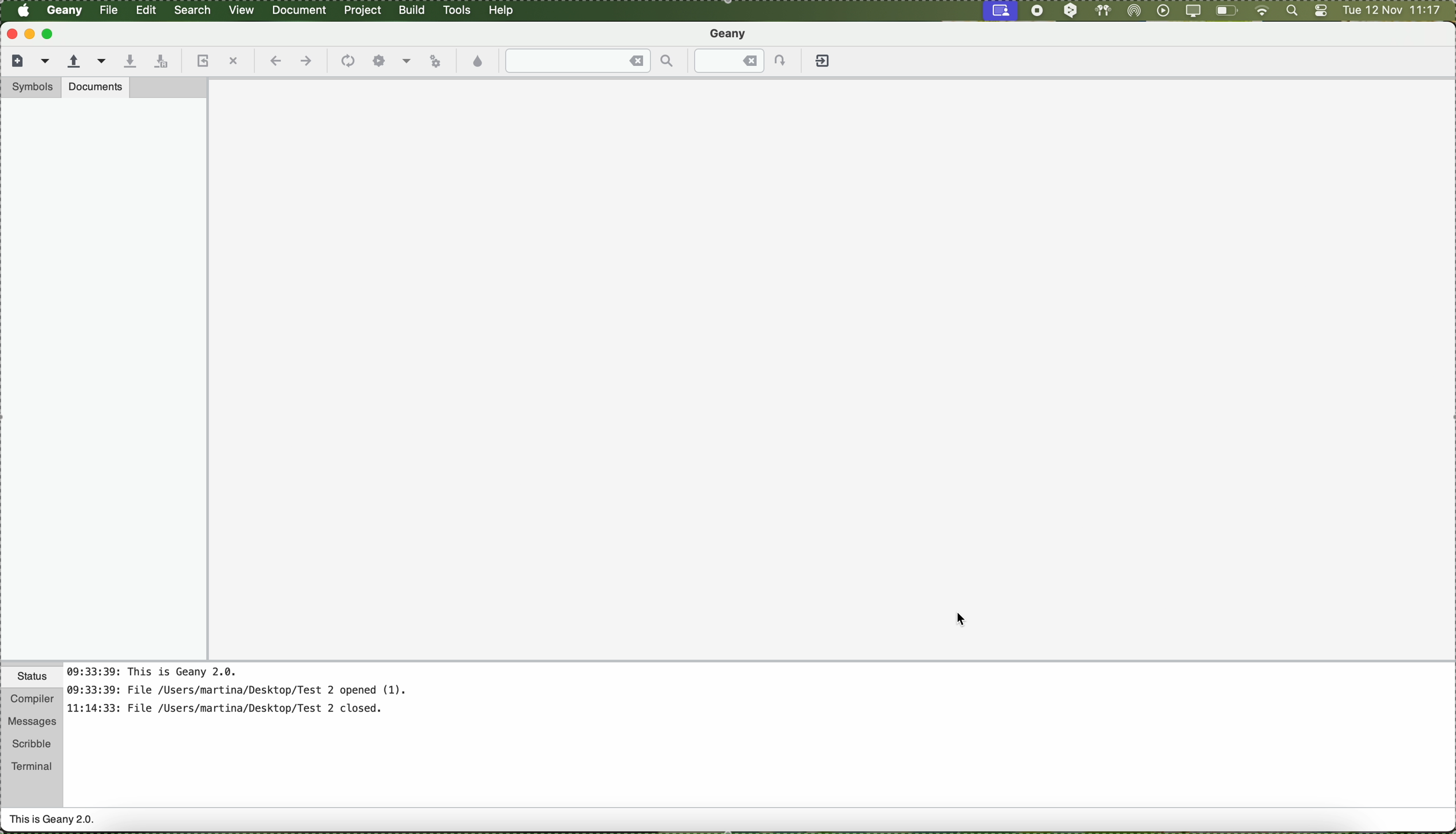  Describe the element at coordinates (1036, 10) in the screenshot. I see `stop recording` at that location.